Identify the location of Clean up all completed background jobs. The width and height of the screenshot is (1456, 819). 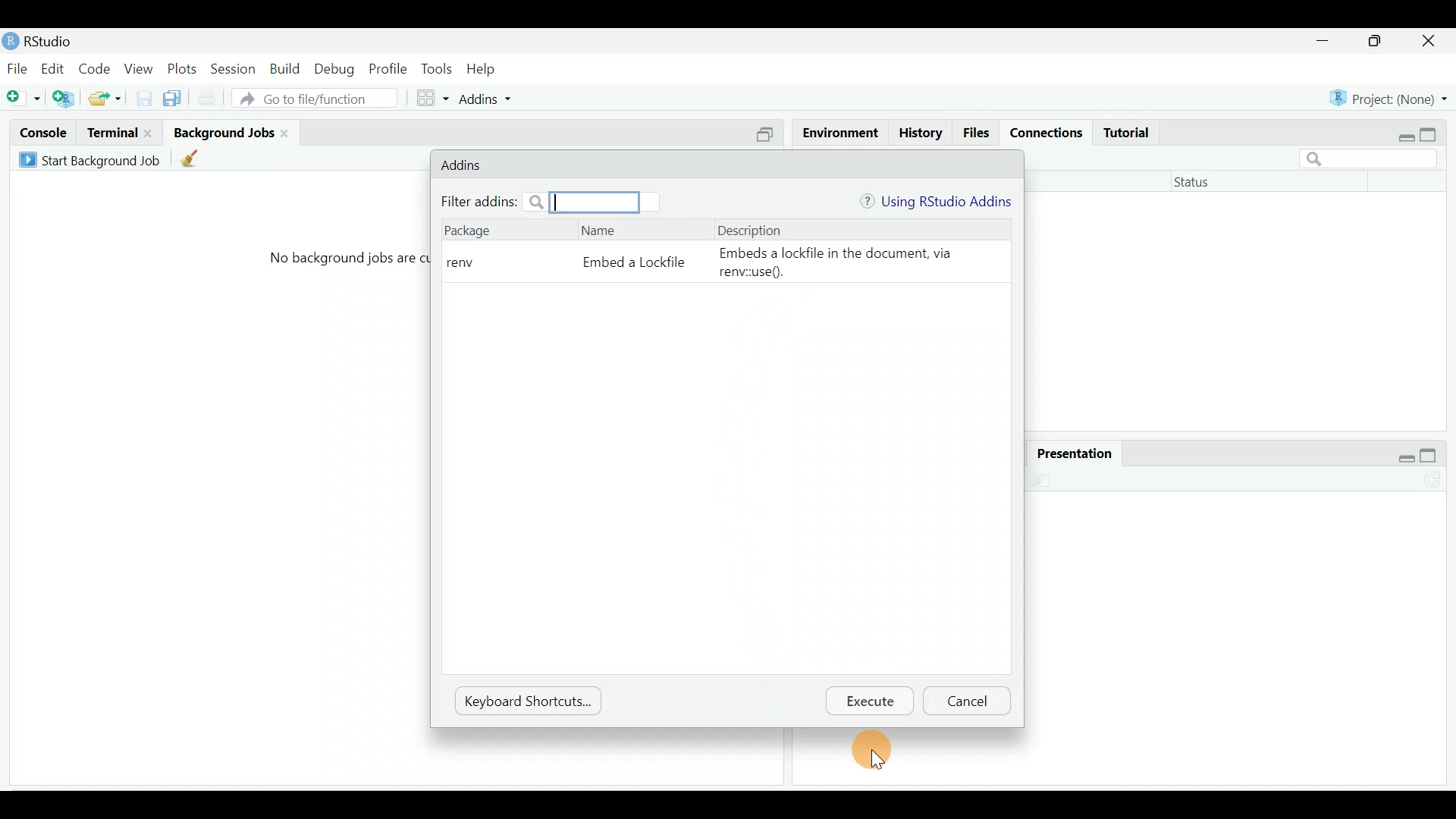
(193, 158).